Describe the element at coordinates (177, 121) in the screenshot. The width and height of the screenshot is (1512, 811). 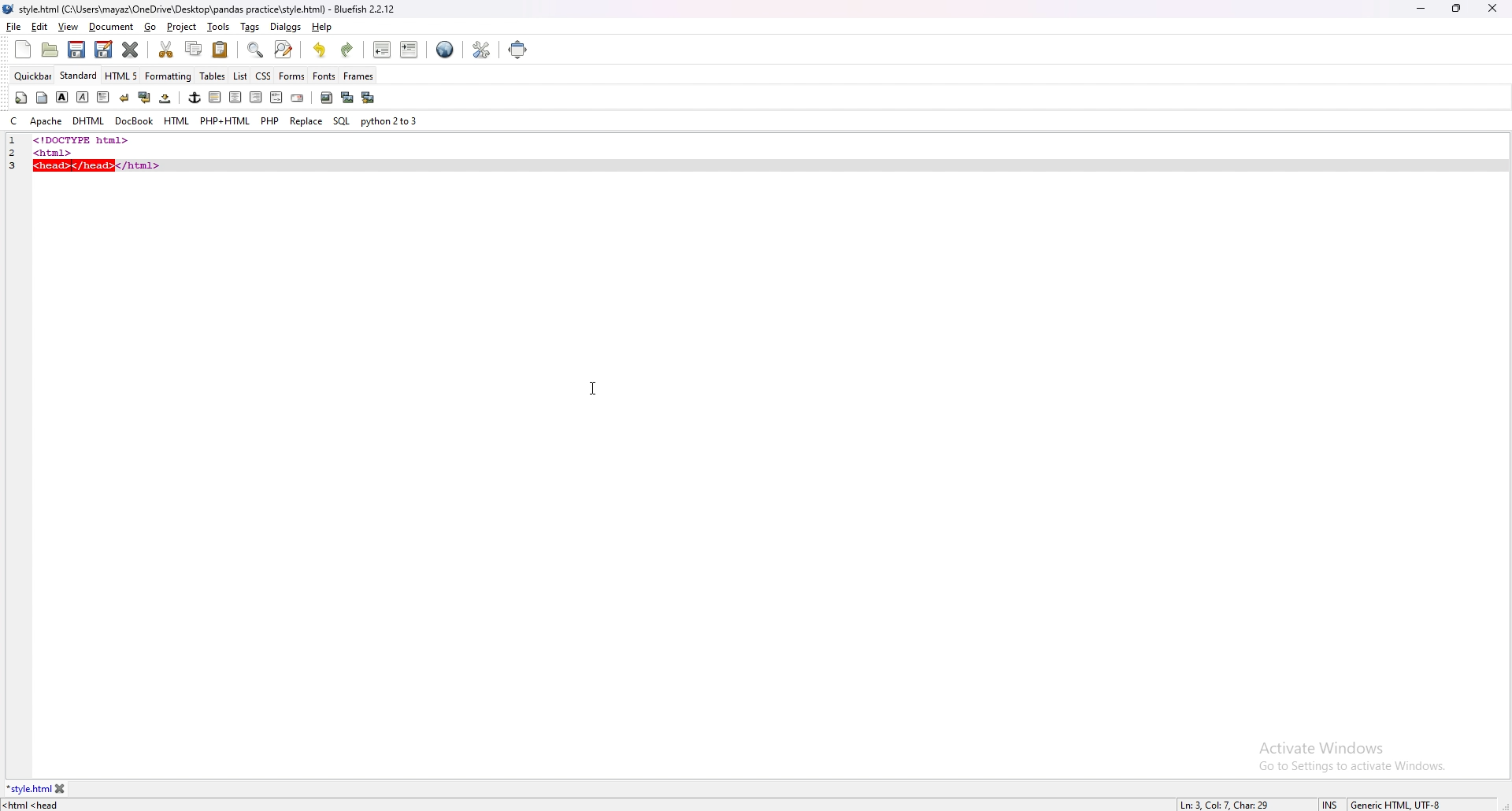
I see `html` at that location.